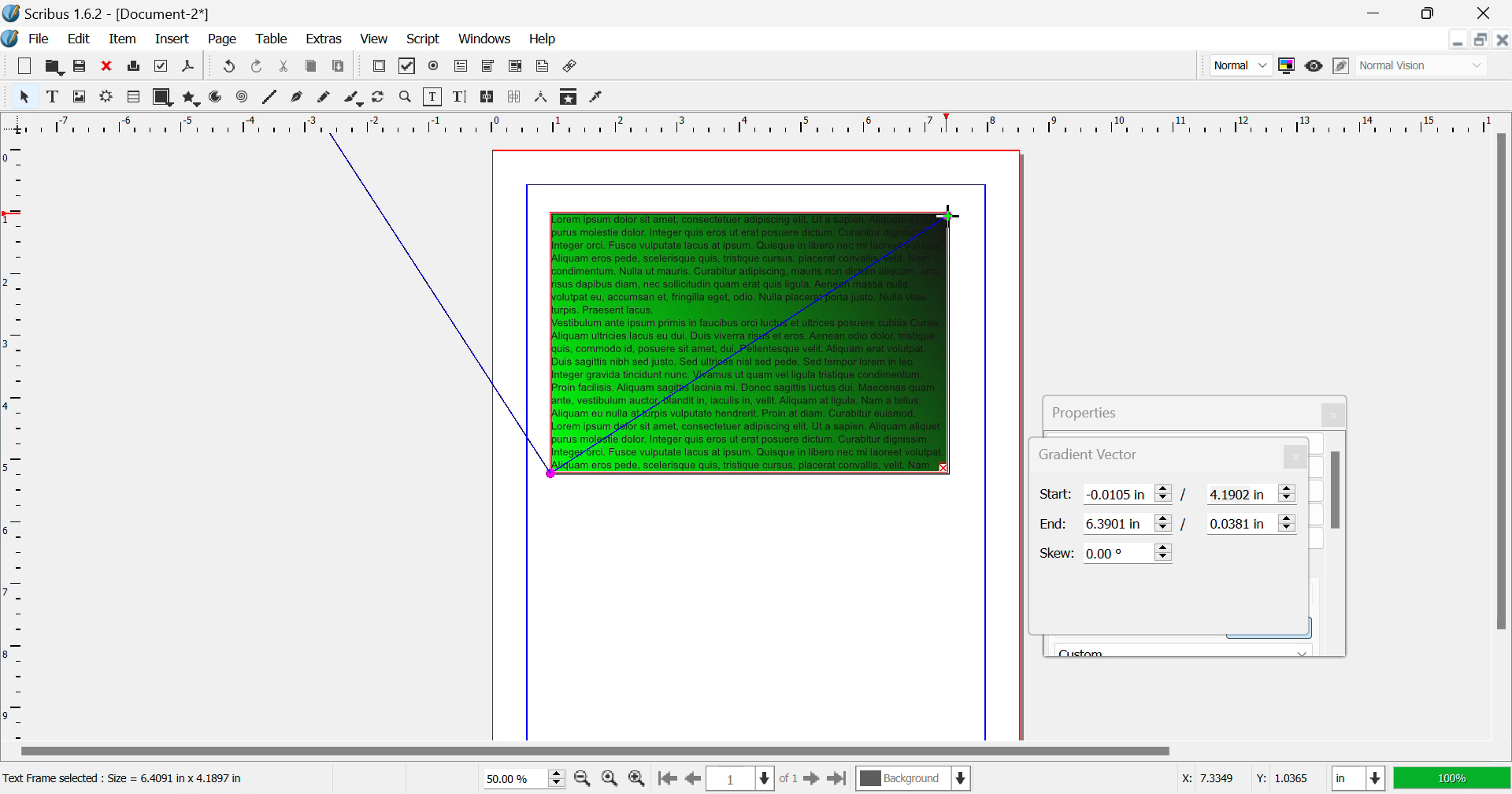 This screenshot has width=1512, height=794. Describe the element at coordinates (434, 97) in the screenshot. I see `Edit Contents of Frame` at that location.